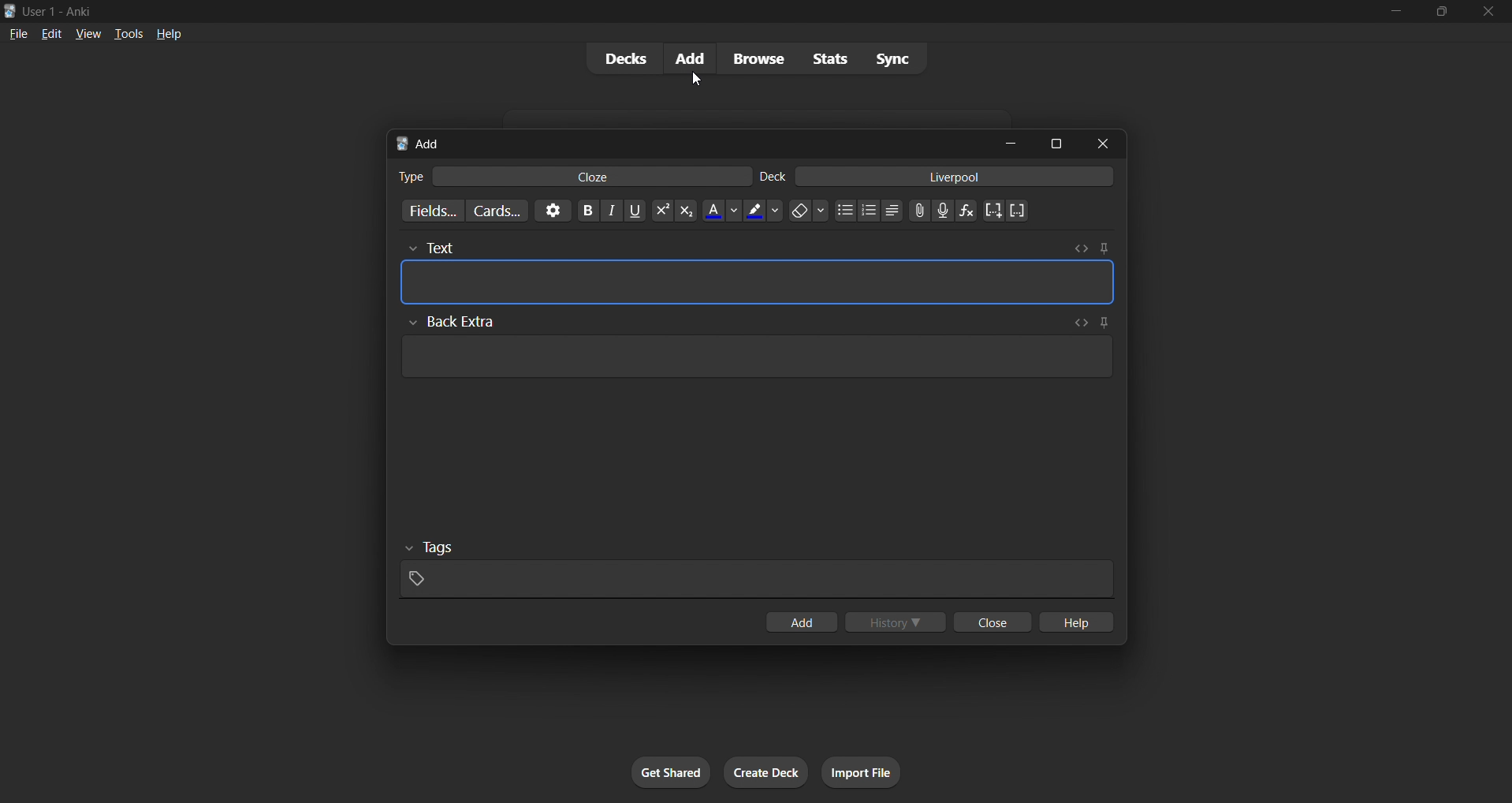 The width and height of the screenshot is (1512, 803). What do you see at coordinates (1084, 248) in the screenshot?
I see `toggle html editor` at bounding box center [1084, 248].